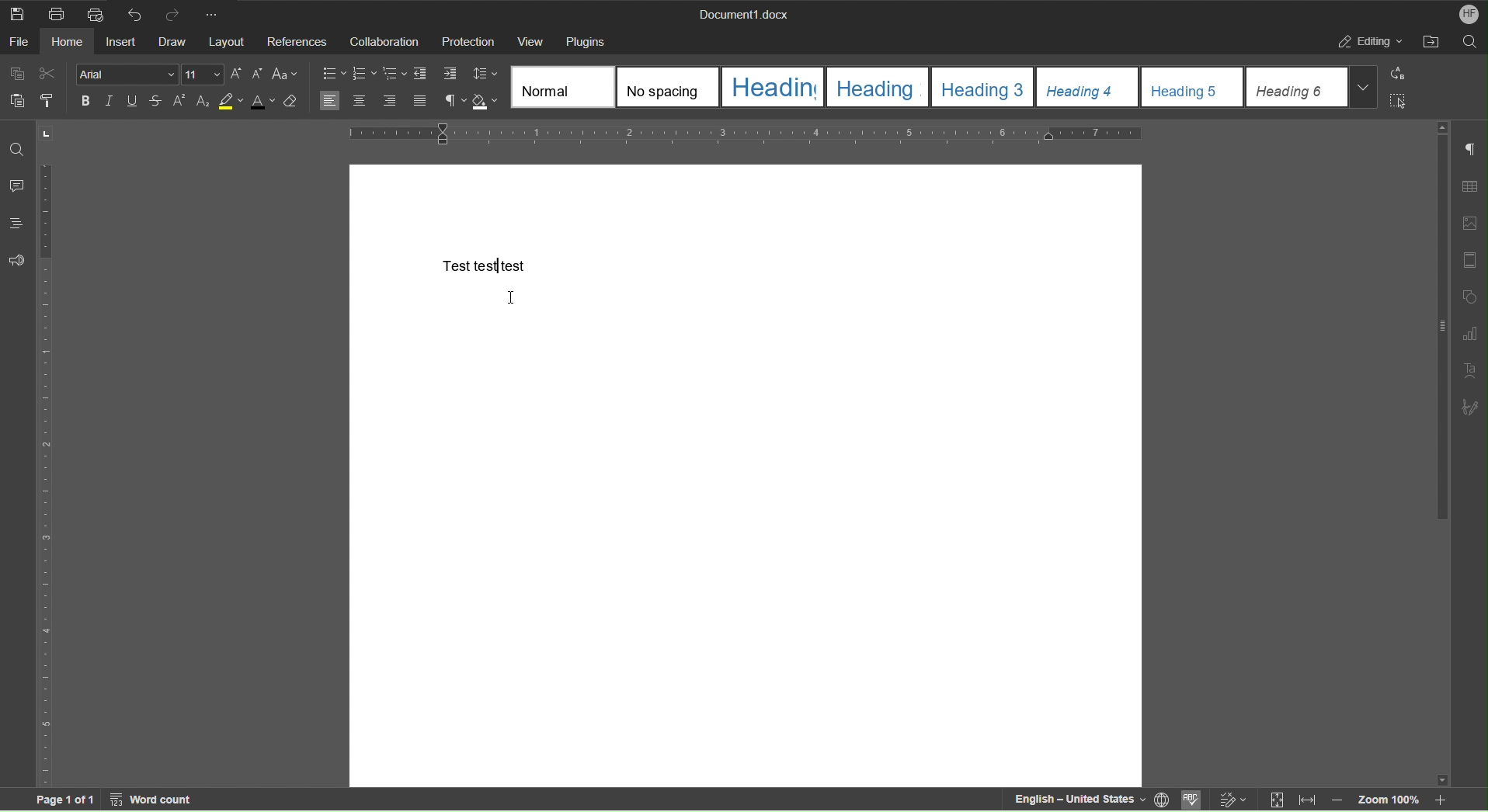  What do you see at coordinates (486, 266) in the screenshot?
I see `Test tset test` at bounding box center [486, 266].